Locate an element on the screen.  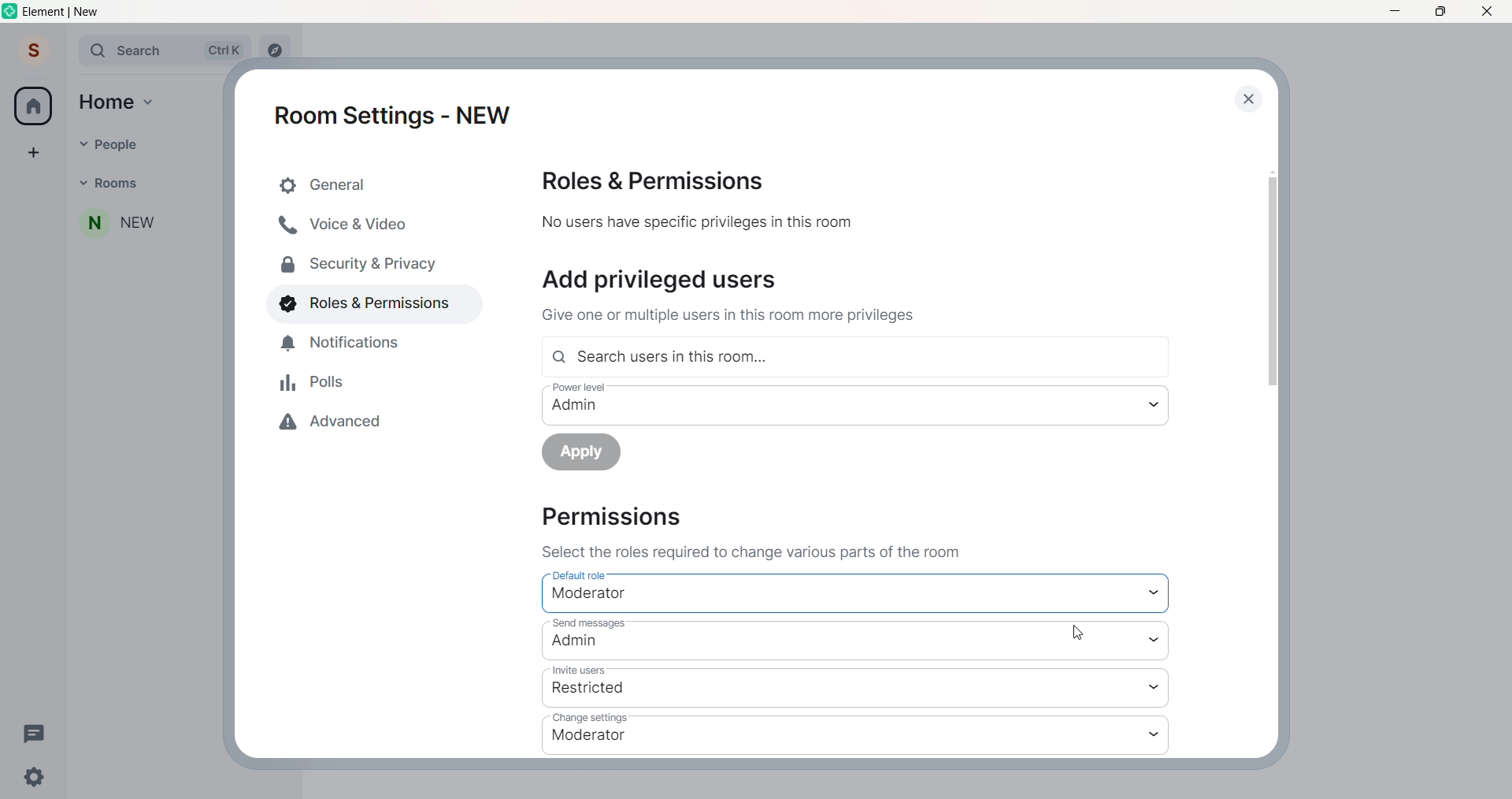
voice and video is located at coordinates (348, 225).